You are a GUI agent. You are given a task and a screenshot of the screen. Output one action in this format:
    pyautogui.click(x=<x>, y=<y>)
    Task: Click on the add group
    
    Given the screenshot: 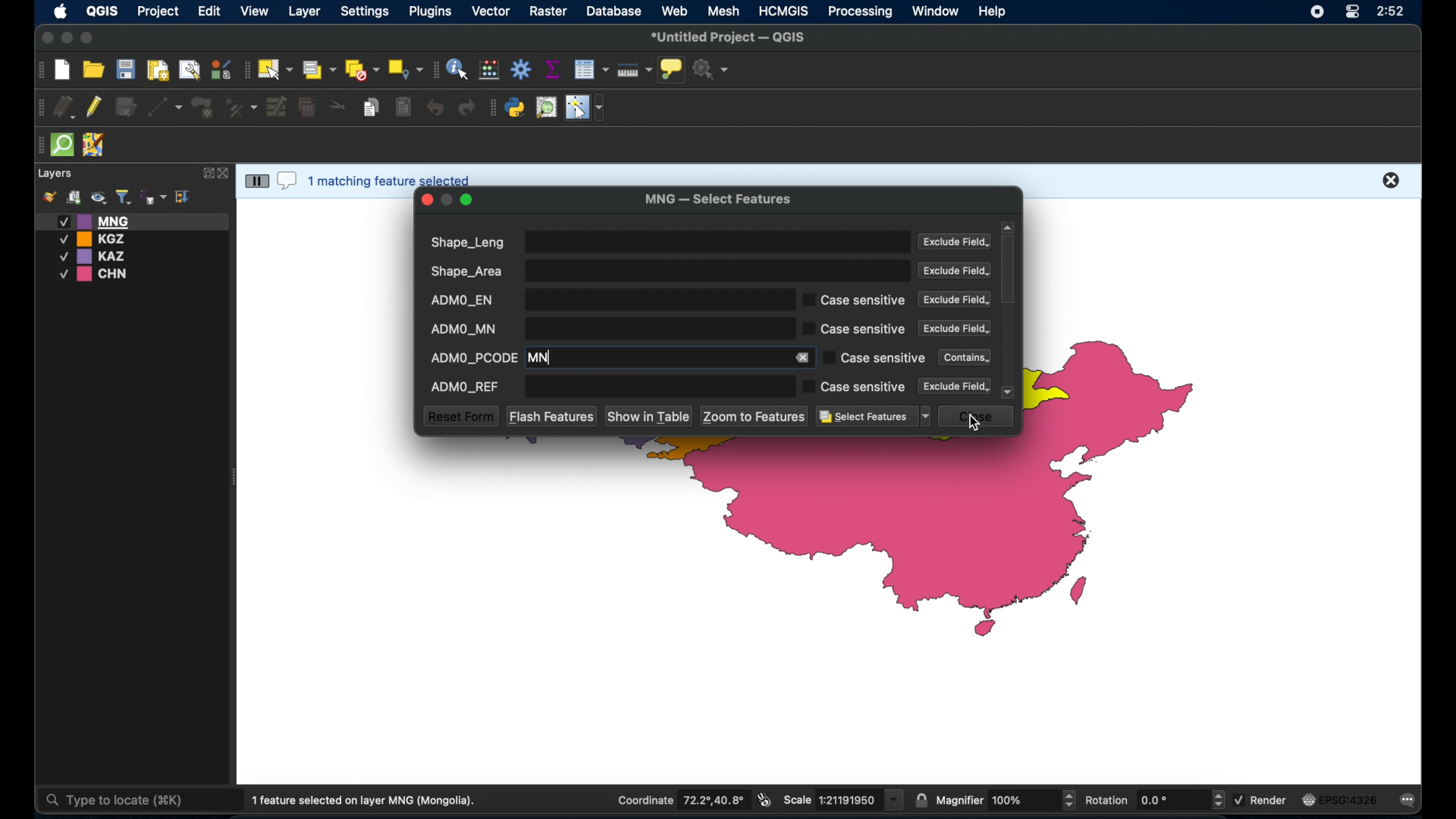 What is the action you would take?
    pyautogui.click(x=74, y=198)
    